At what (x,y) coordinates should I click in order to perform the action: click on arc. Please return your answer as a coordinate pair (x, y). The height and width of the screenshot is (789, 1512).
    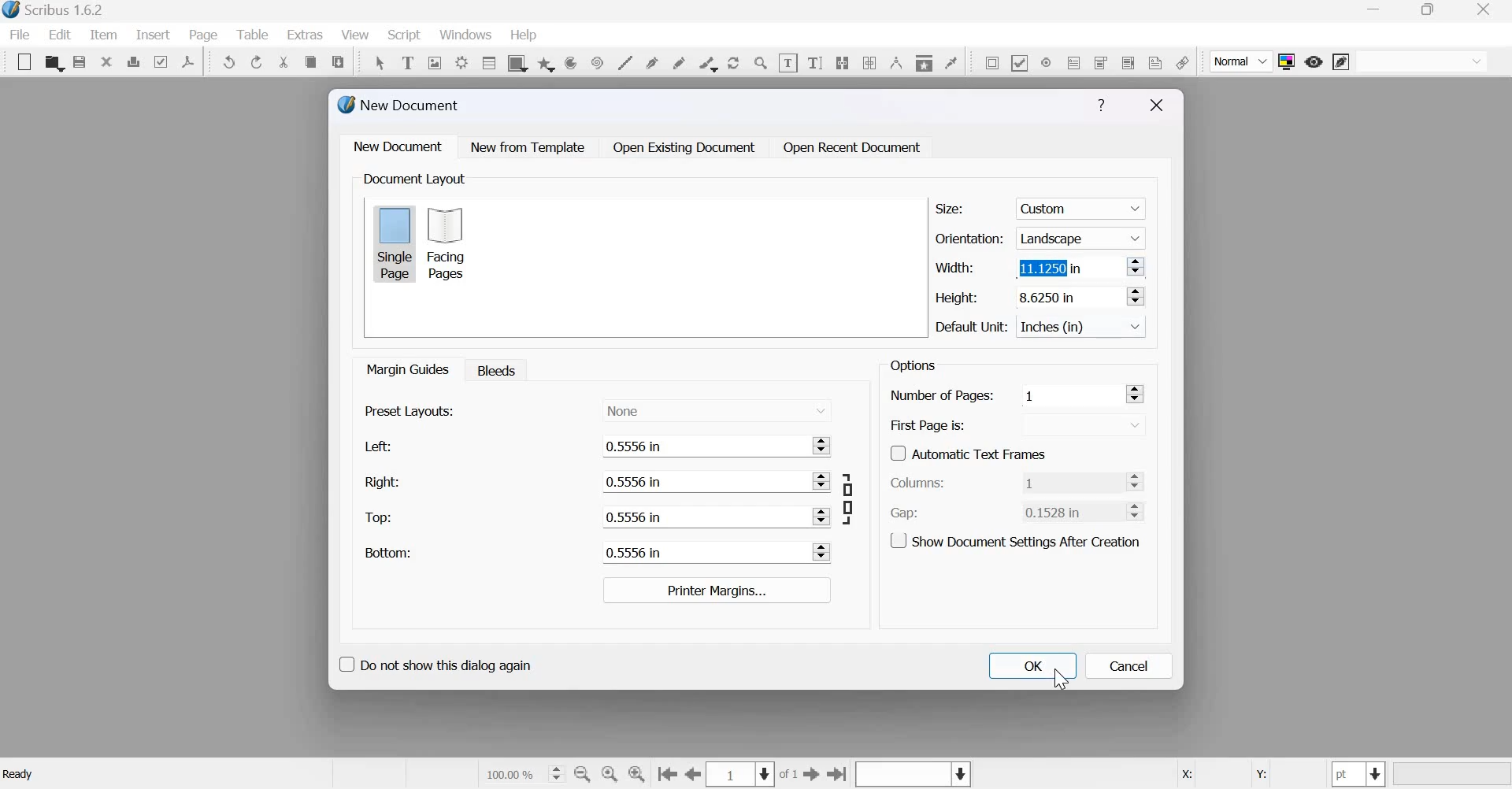
    Looking at the image, I should click on (546, 62).